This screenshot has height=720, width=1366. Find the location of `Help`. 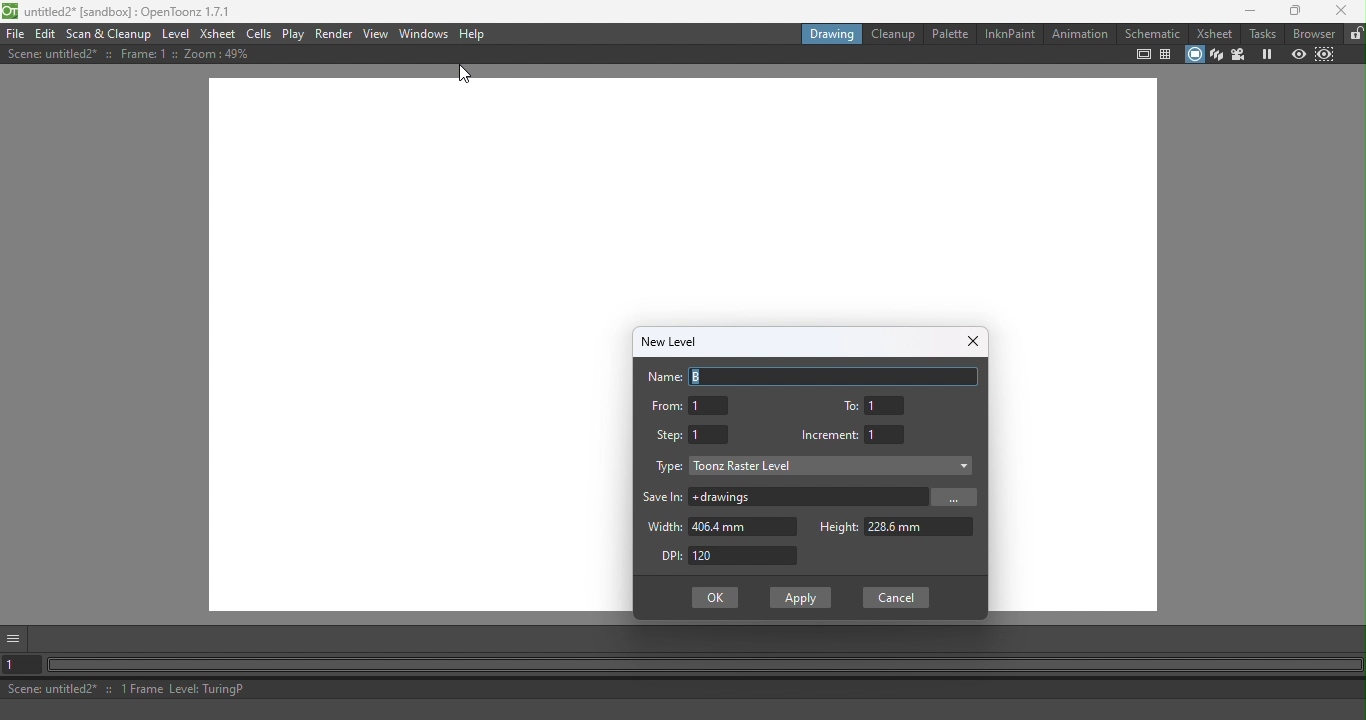

Help is located at coordinates (474, 35).